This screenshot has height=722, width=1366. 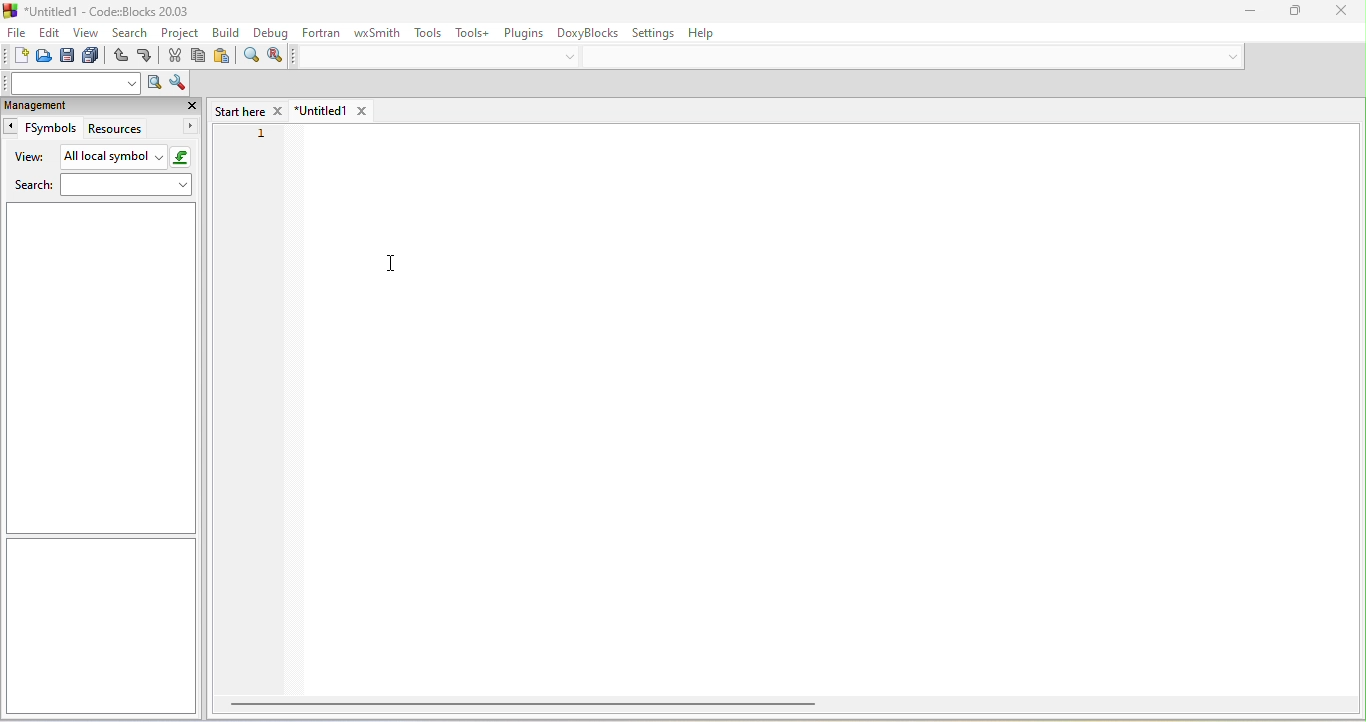 I want to click on help, so click(x=712, y=34).